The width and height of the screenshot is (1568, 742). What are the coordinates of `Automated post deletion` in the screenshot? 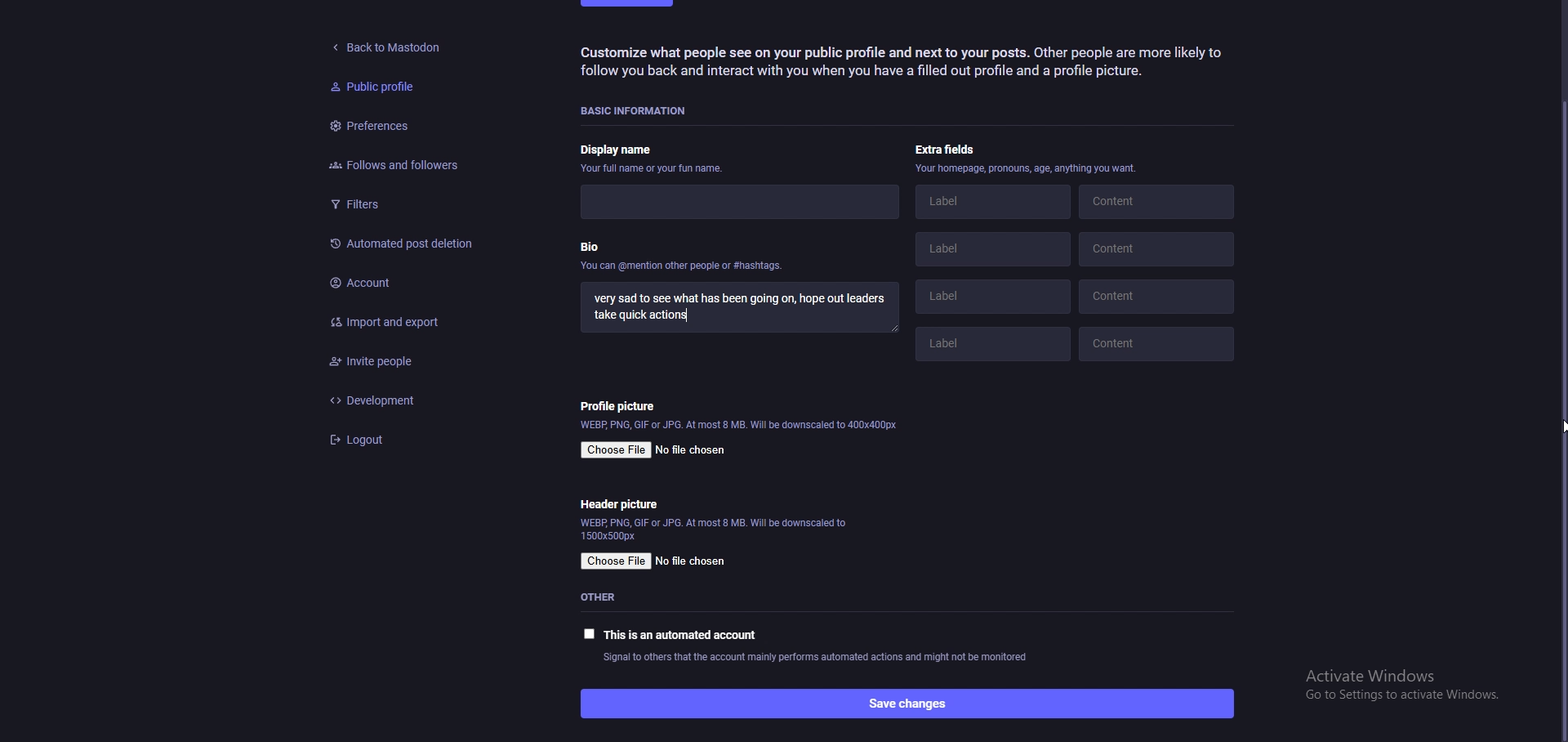 It's located at (403, 242).